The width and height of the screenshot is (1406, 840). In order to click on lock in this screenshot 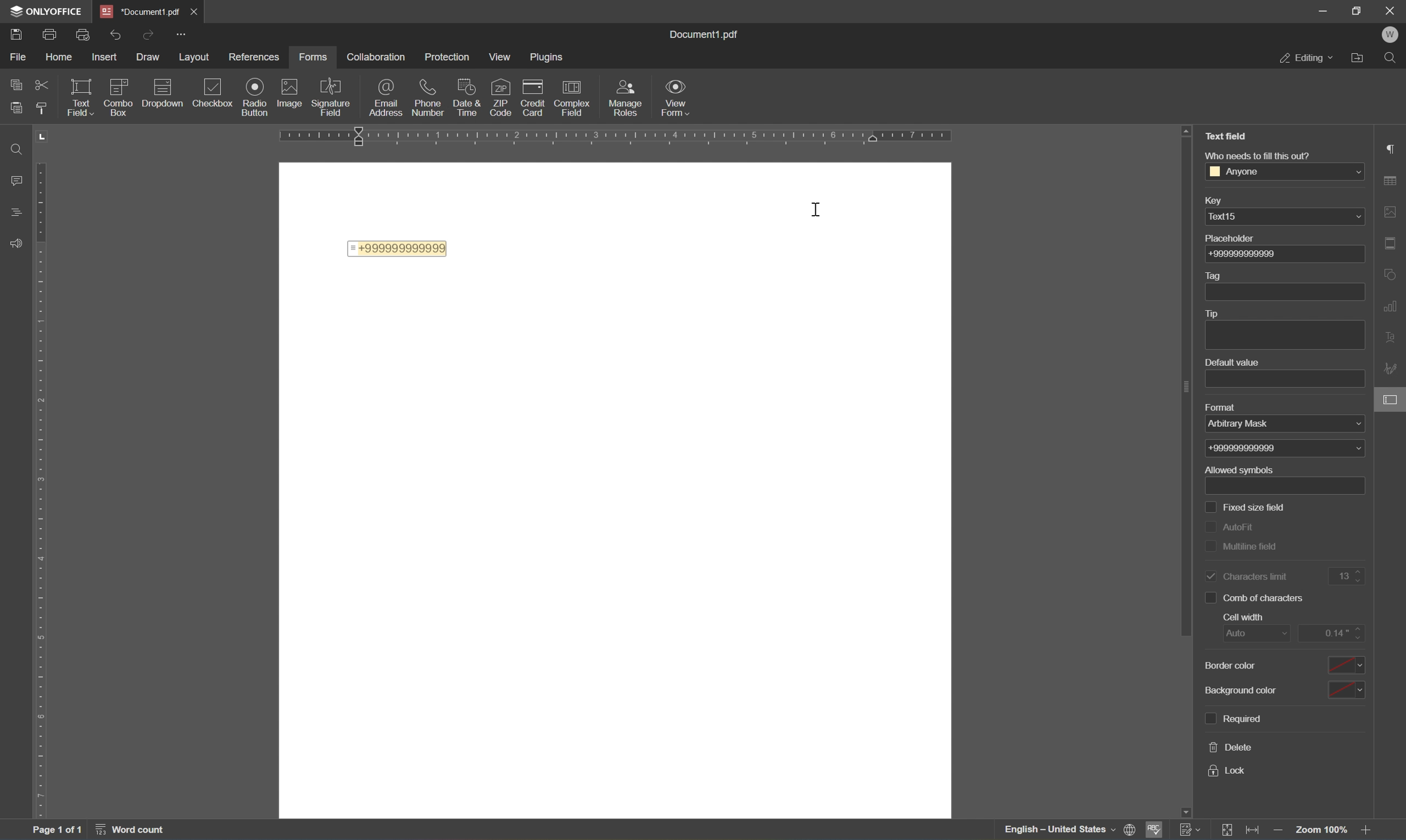, I will do `click(1227, 773)`.